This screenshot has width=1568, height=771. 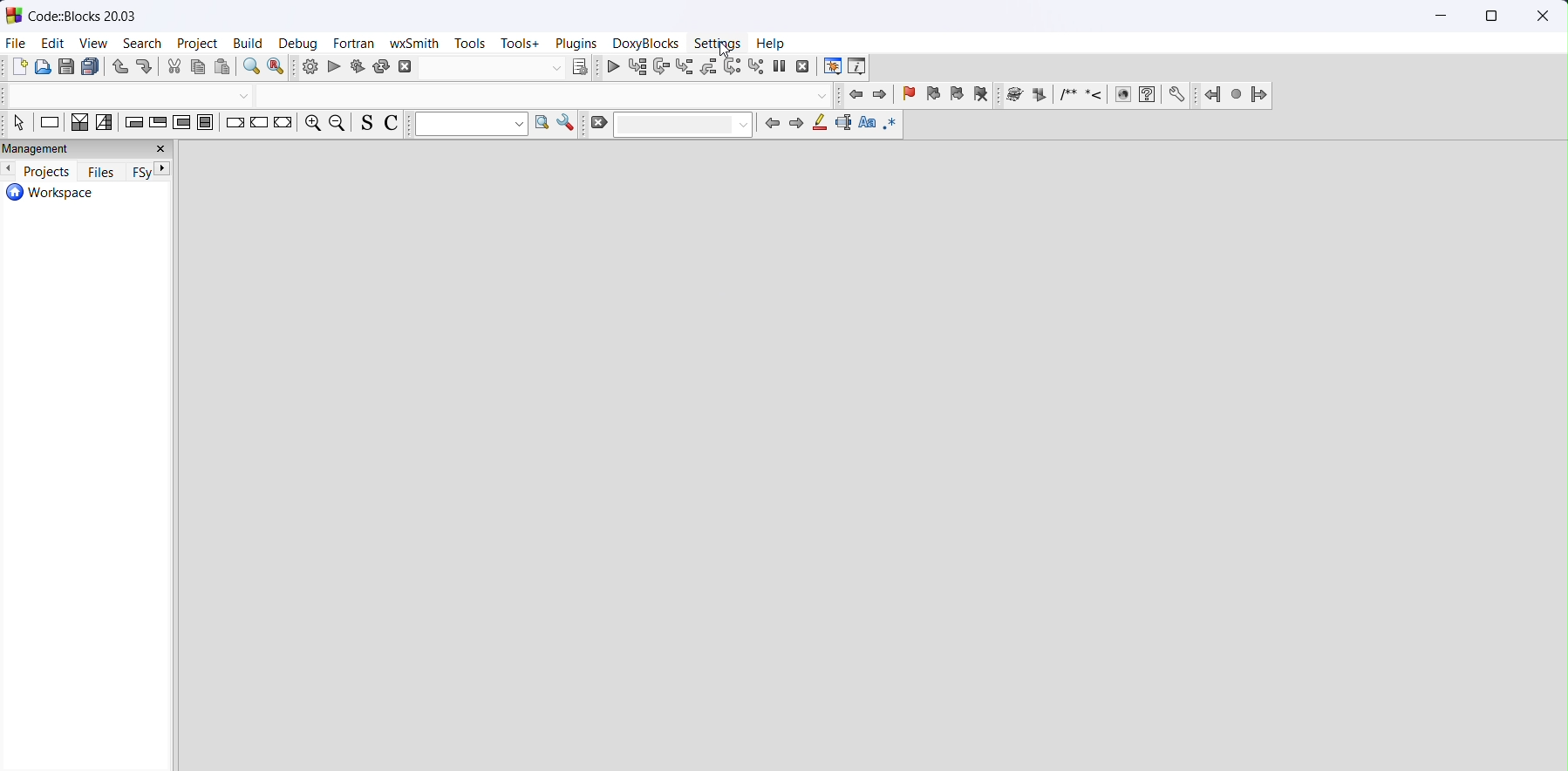 What do you see at coordinates (20, 124) in the screenshot?
I see `select` at bounding box center [20, 124].